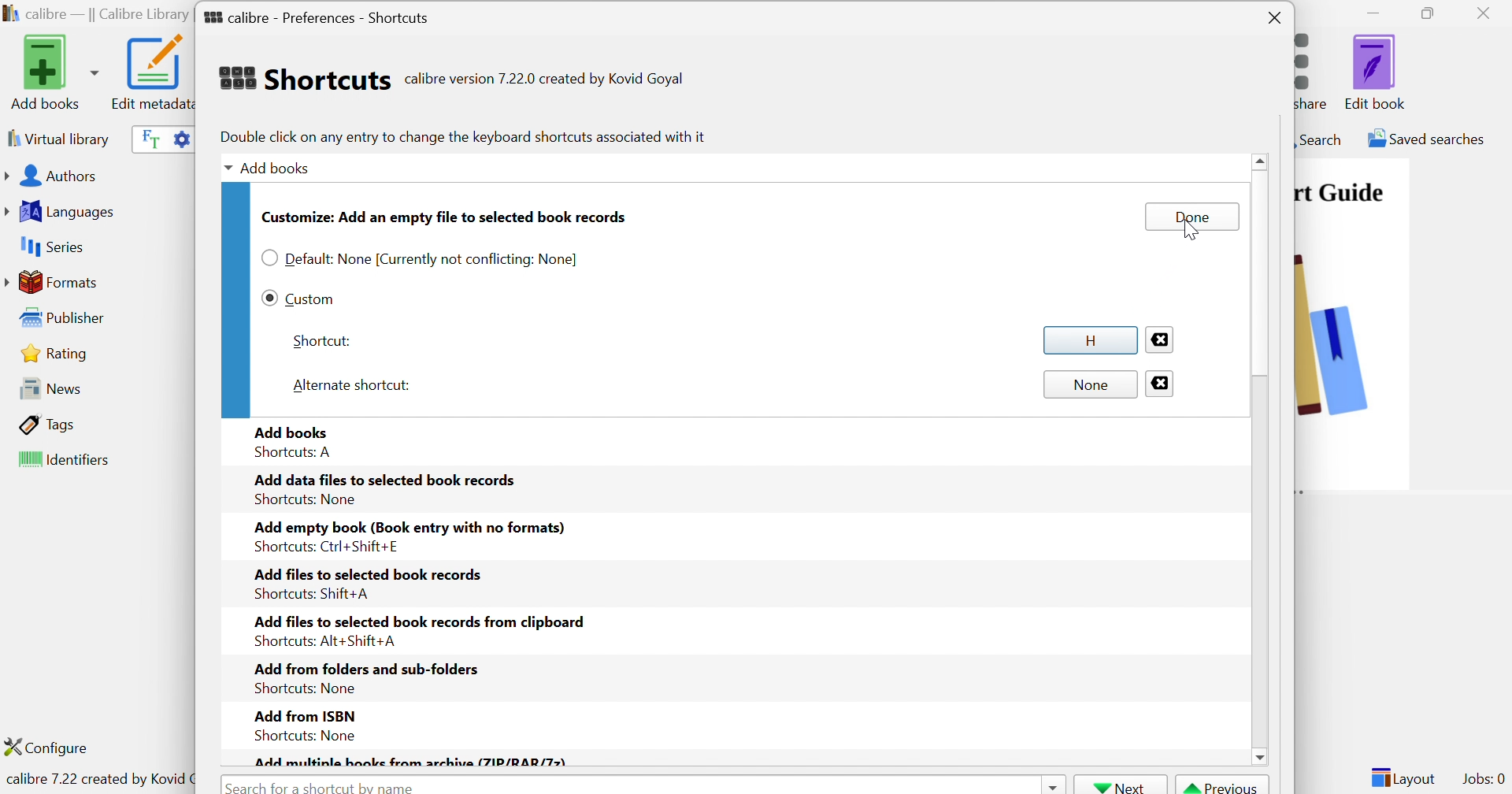  What do you see at coordinates (434, 260) in the screenshot?
I see `Default: None [Currently not conflicting: None]` at bounding box center [434, 260].